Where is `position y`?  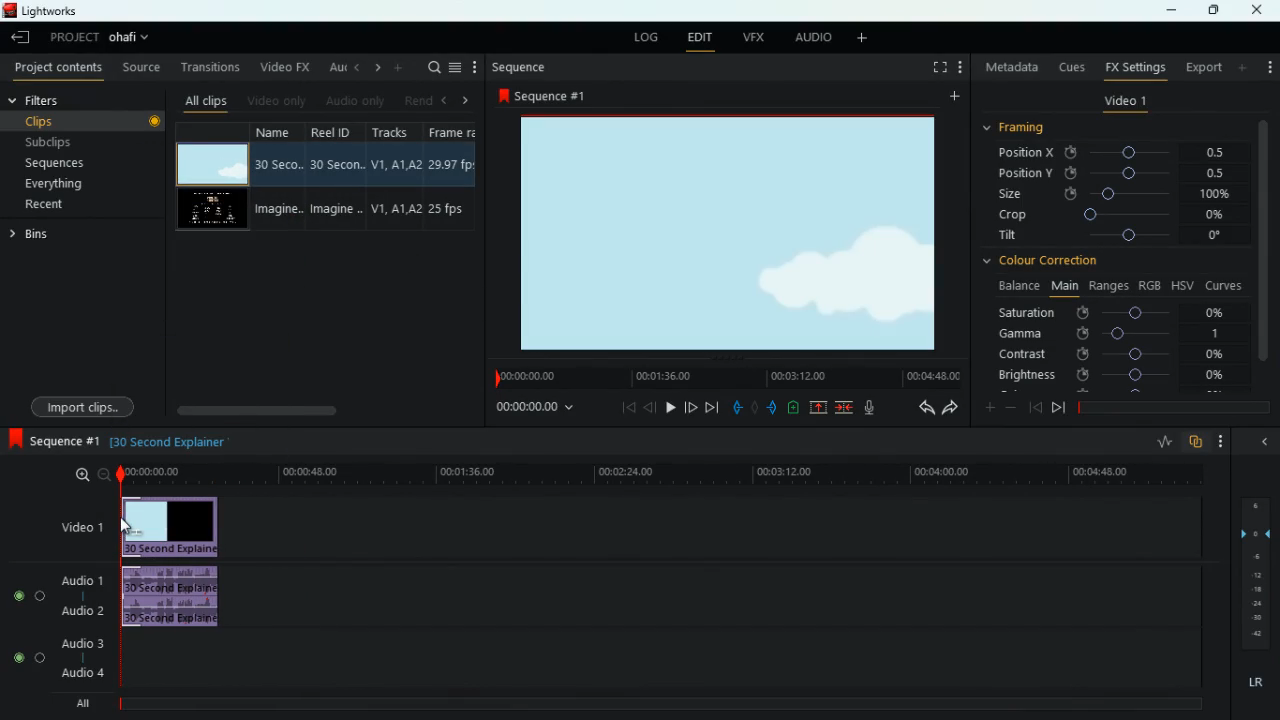
position y is located at coordinates (1104, 174).